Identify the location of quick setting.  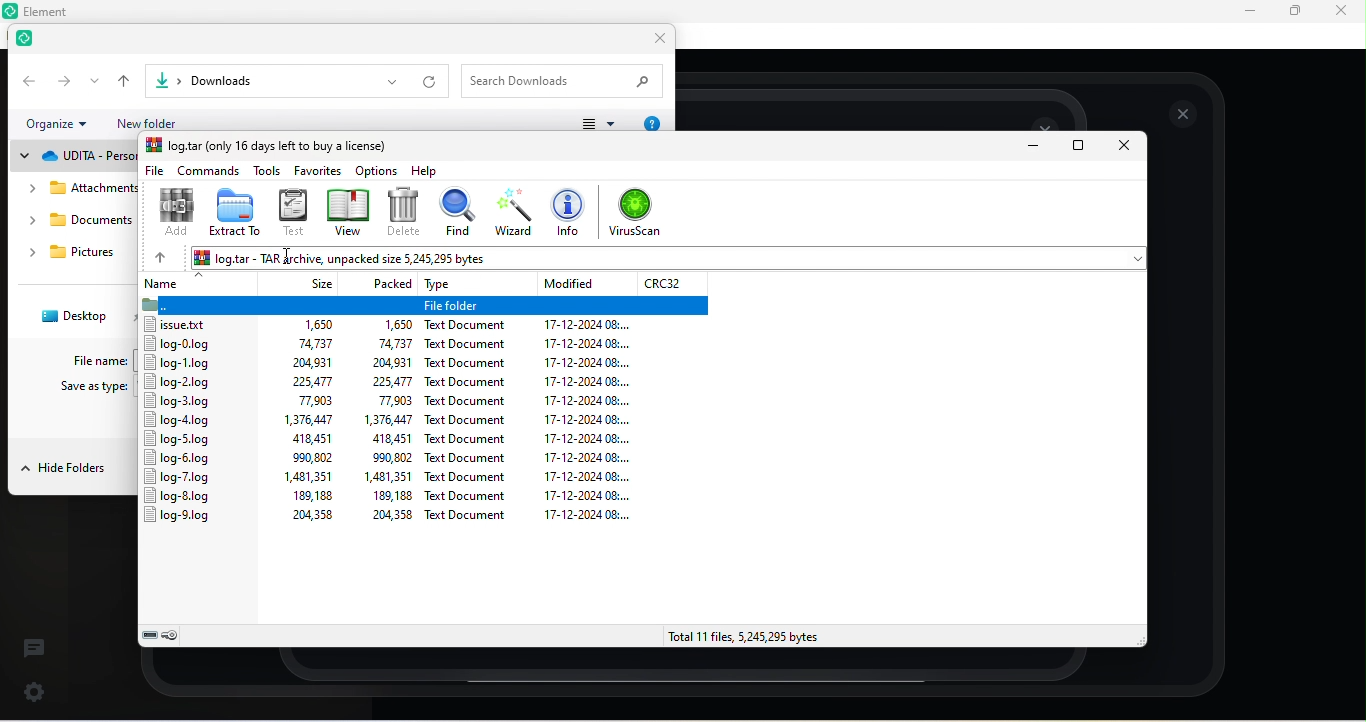
(35, 688).